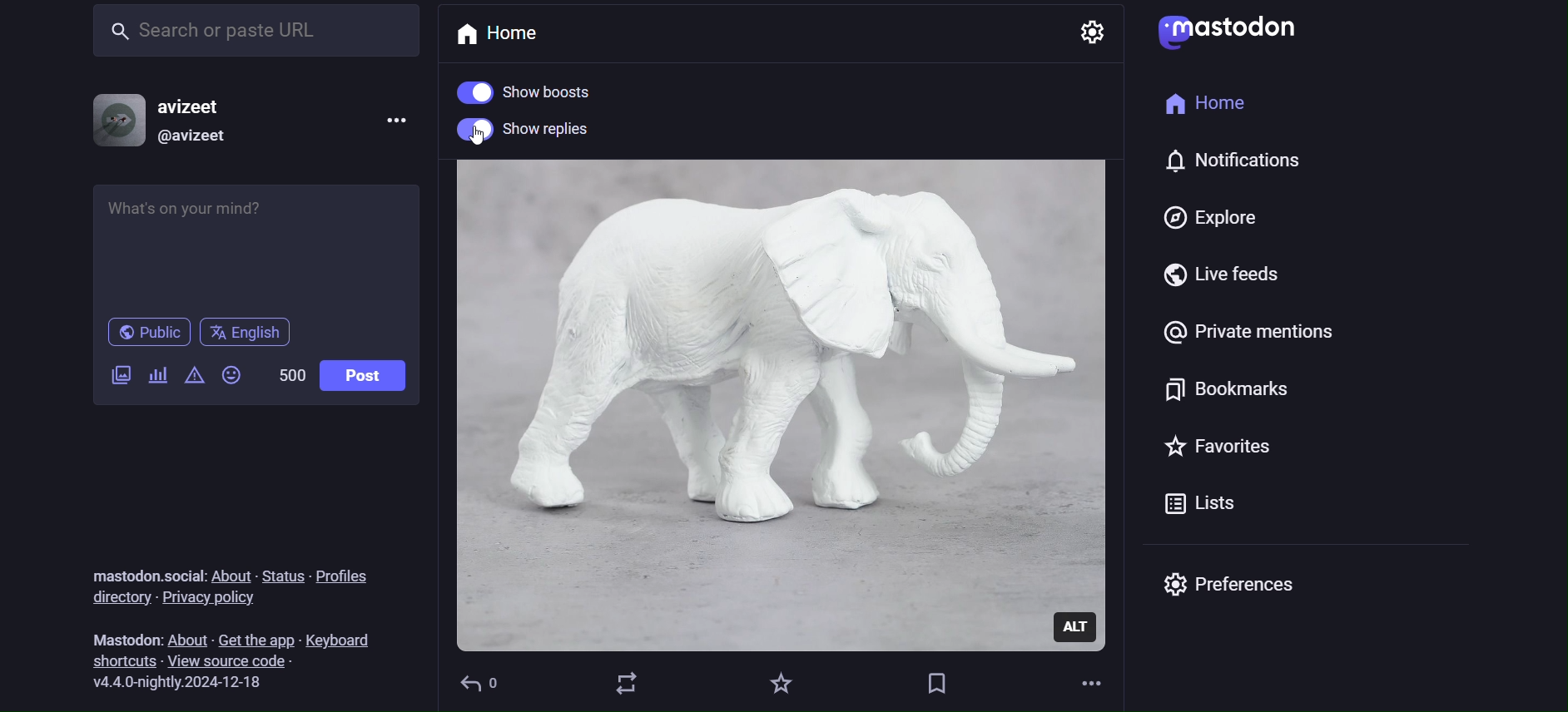 Image resolution: width=1568 pixels, height=712 pixels. What do you see at coordinates (289, 372) in the screenshot?
I see `word limit` at bounding box center [289, 372].